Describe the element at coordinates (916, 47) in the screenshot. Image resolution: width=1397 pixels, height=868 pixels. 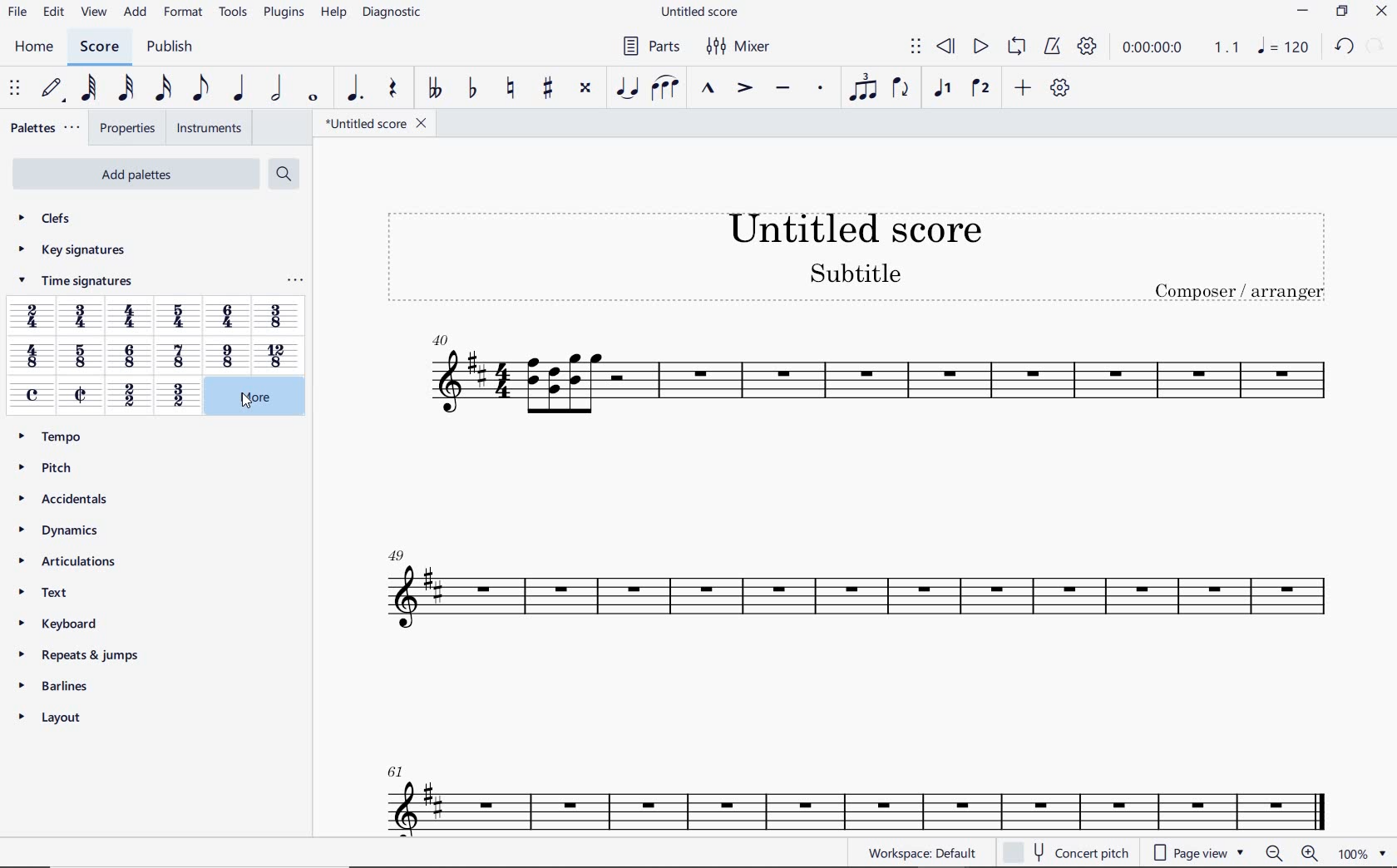
I see `SELECT TO MOVE` at that location.